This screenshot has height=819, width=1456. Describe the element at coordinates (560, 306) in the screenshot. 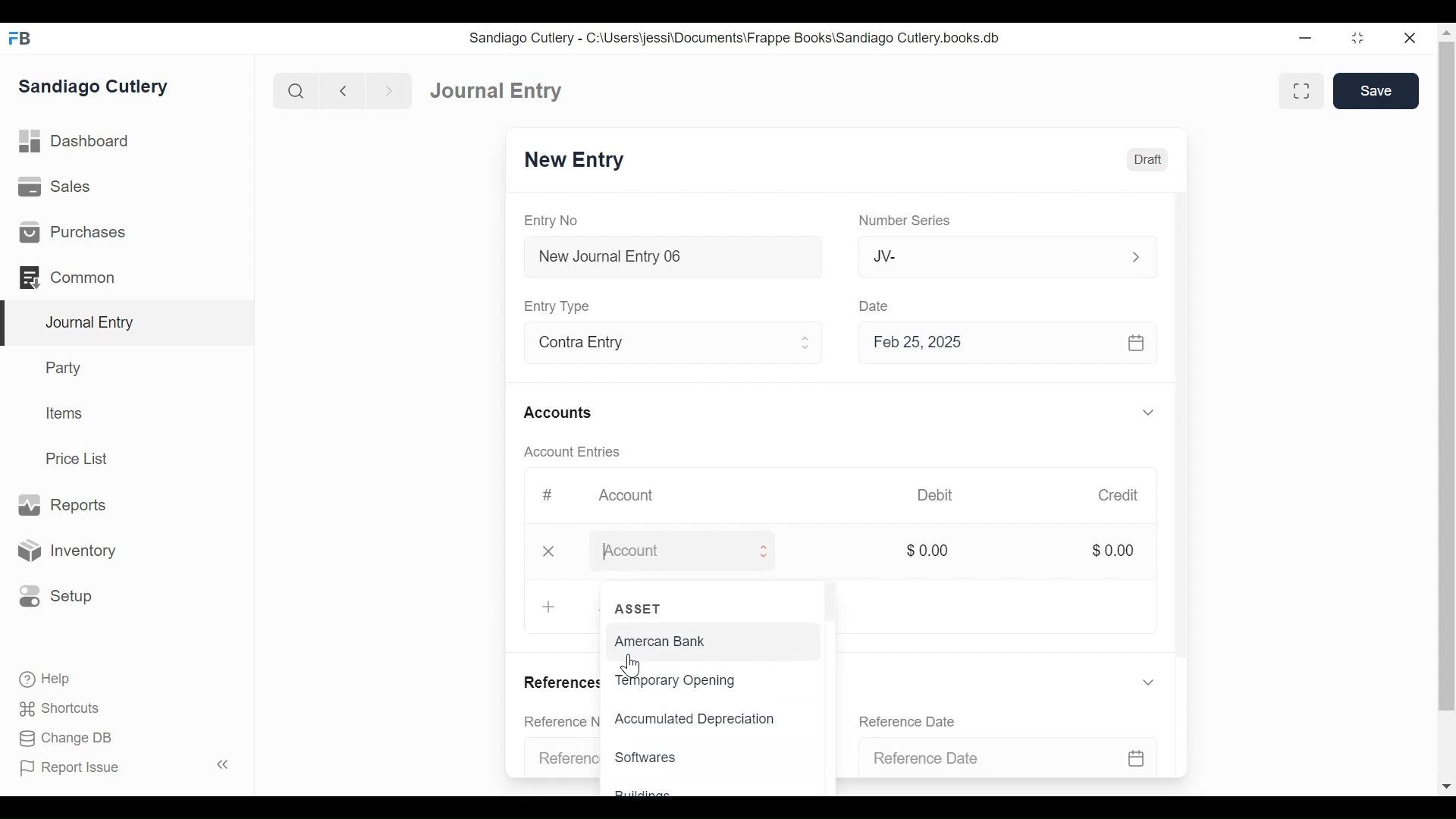

I see `Entry Type` at that location.